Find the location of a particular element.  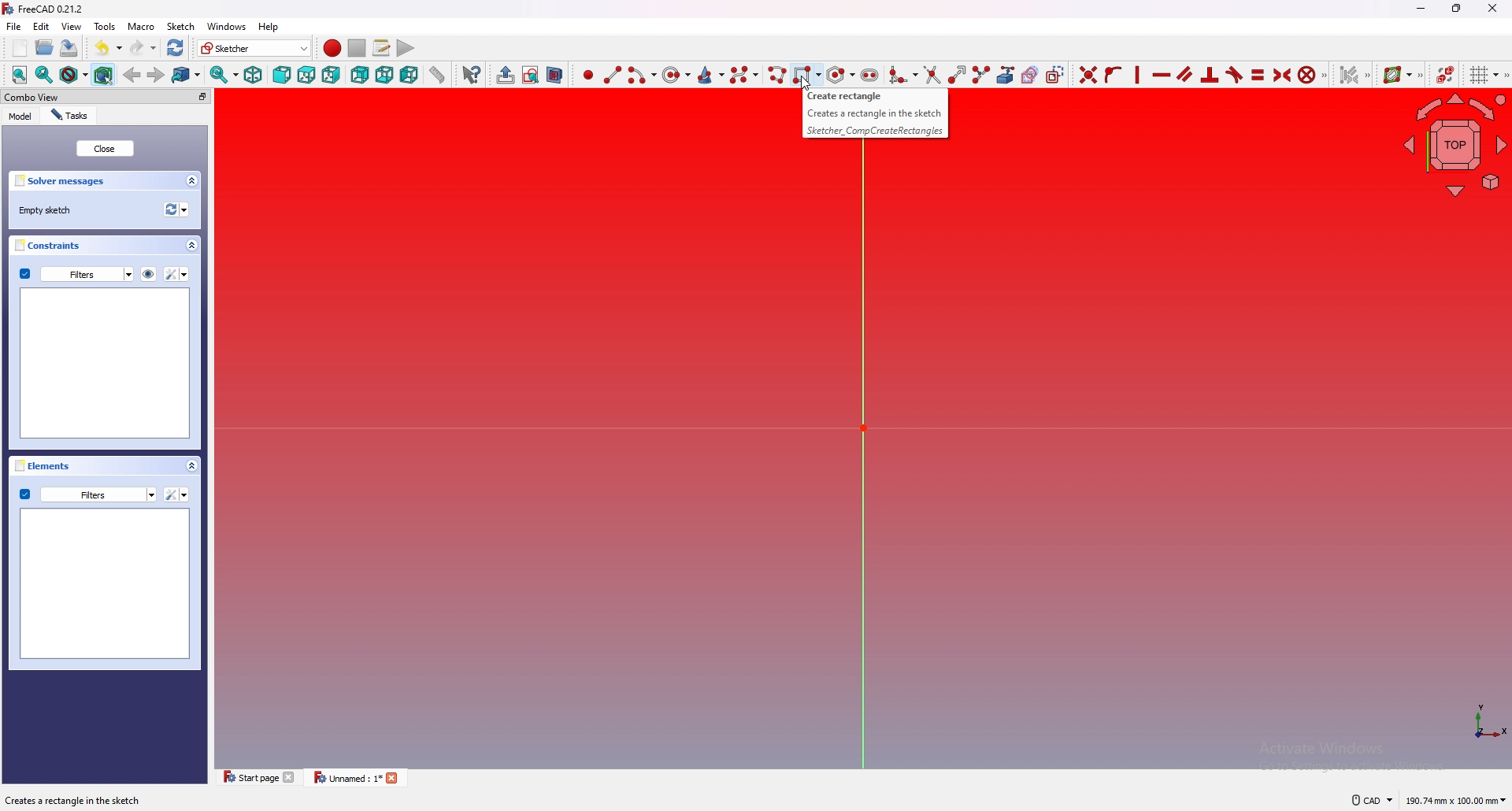

constraint perpendicular is located at coordinates (1210, 74).